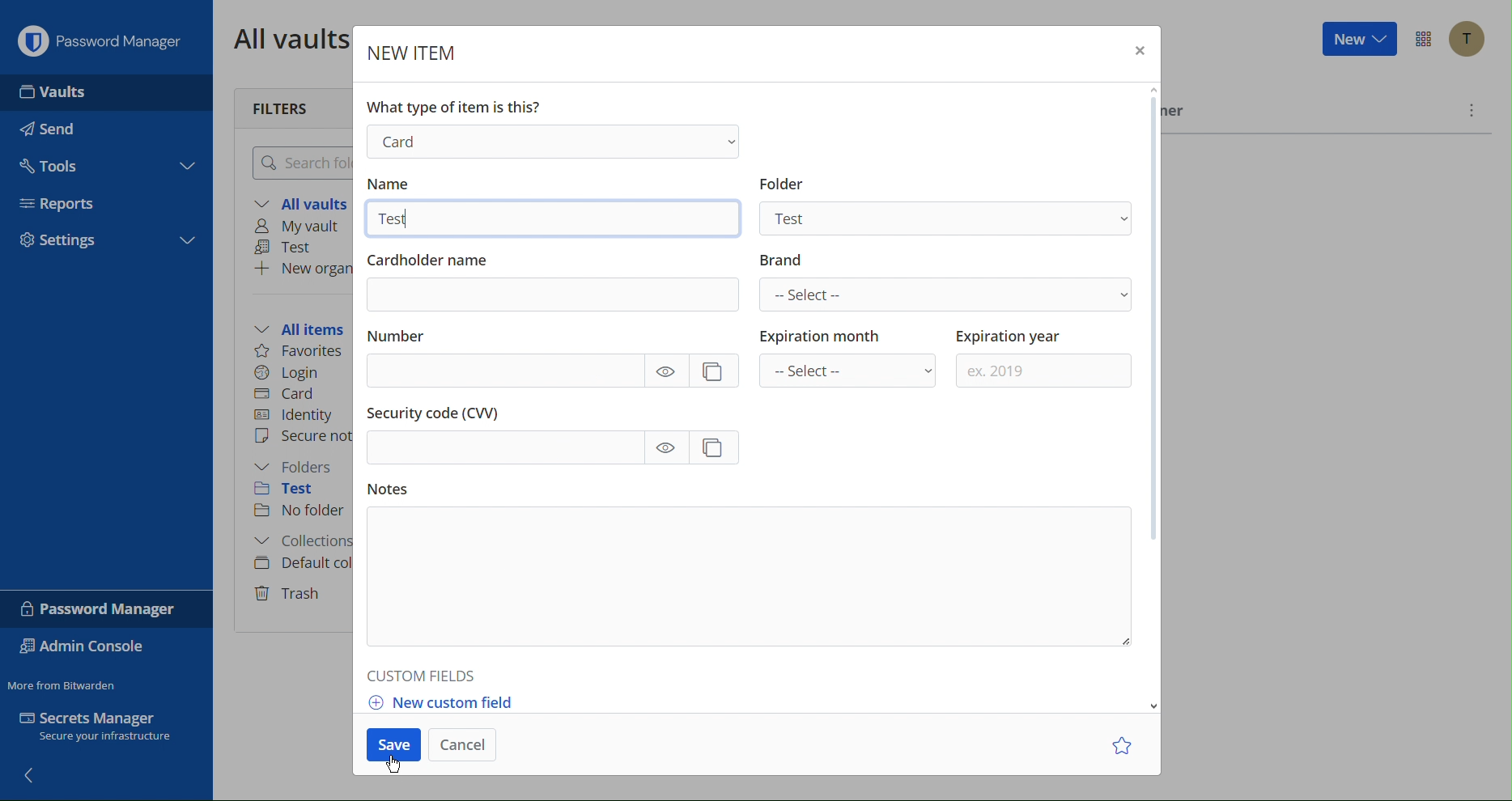 This screenshot has height=801, width=1512. Describe the element at coordinates (304, 538) in the screenshot. I see `Collections` at that location.